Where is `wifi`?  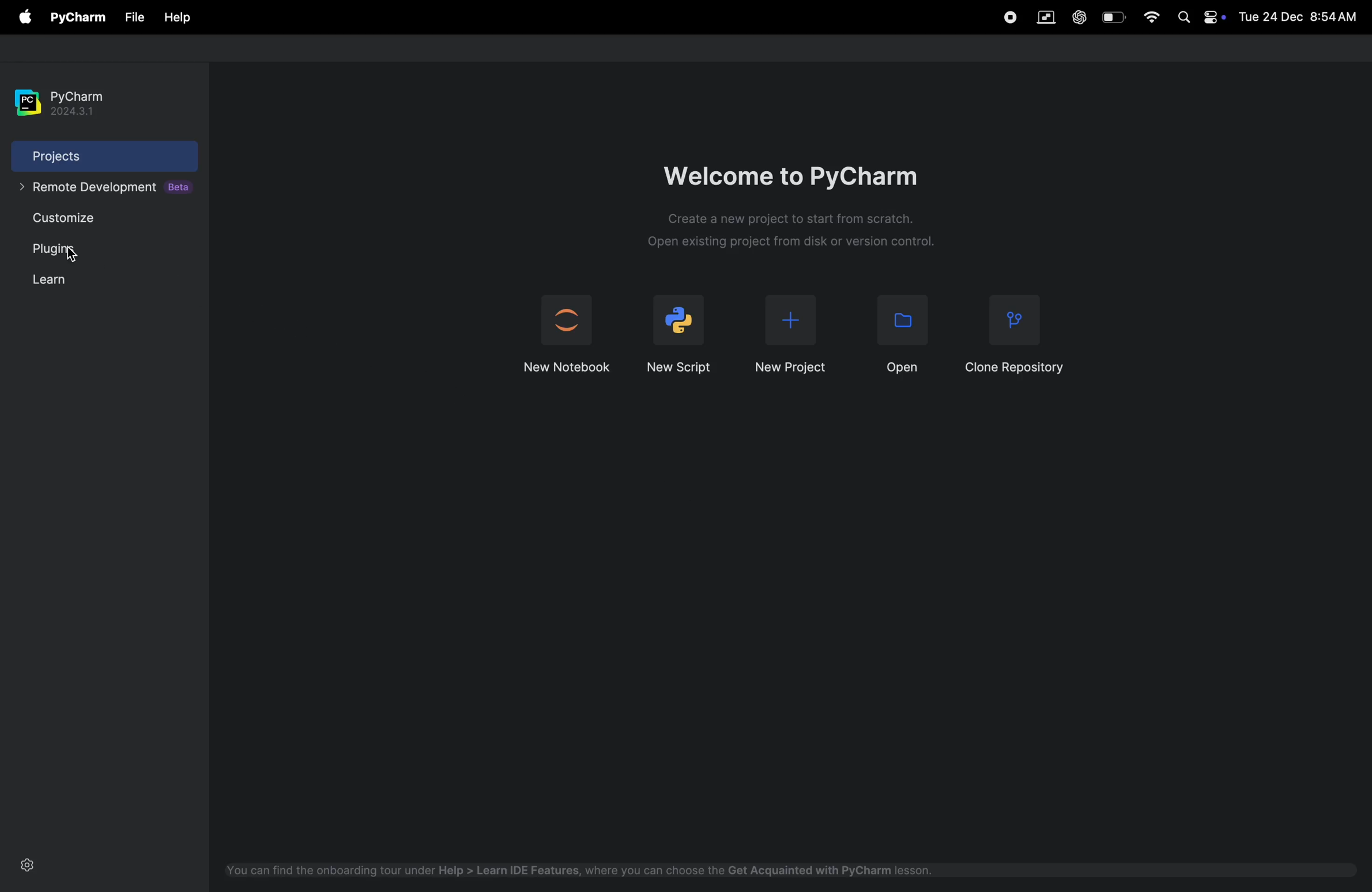 wifi is located at coordinates (1148, 17).